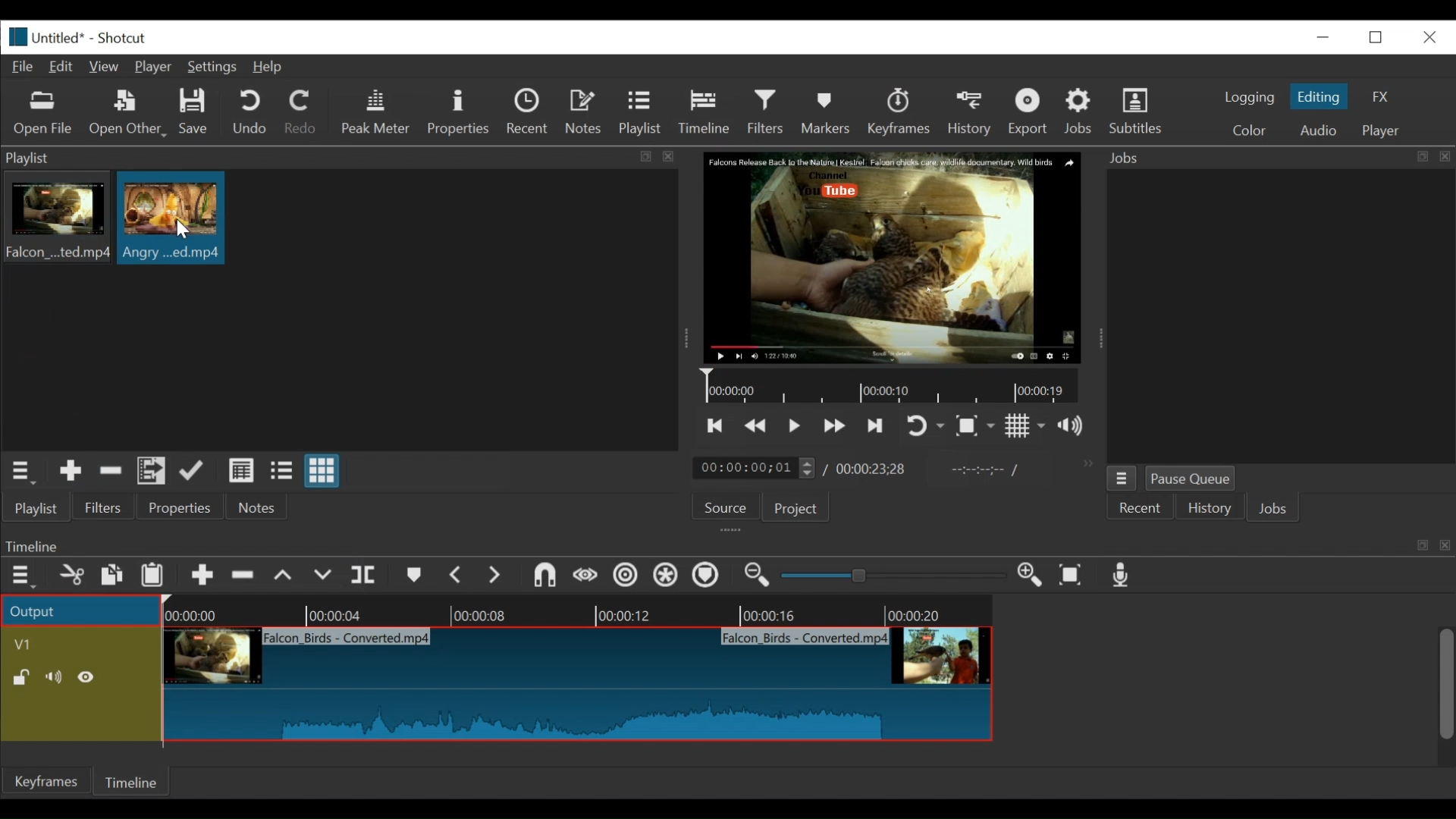 This screenshot has height=819, width=1456. Describe the element at coordinates (48, 781) in the screenshot. I see `Keyframes` at that location.